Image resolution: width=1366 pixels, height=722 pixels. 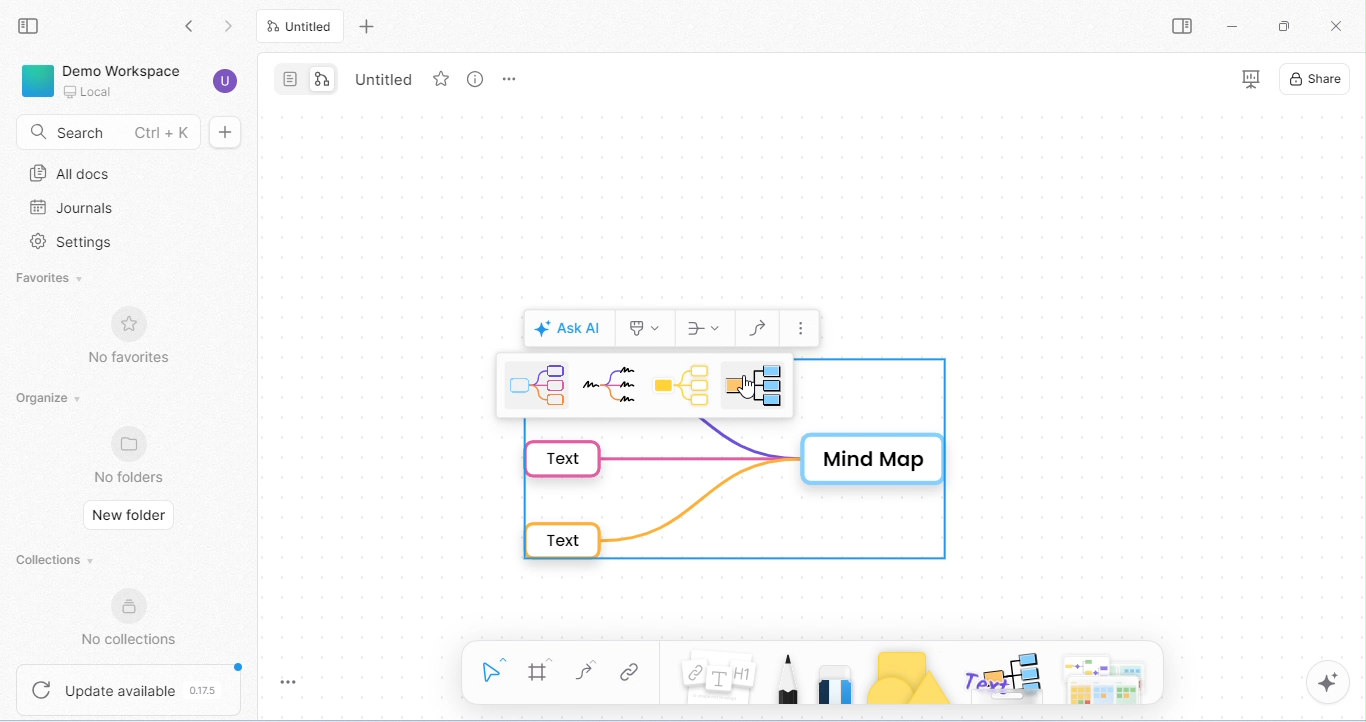 What do you see at coordinates (490, 671) in the screenshot?
I see `select` at bounding box center [490, 671].